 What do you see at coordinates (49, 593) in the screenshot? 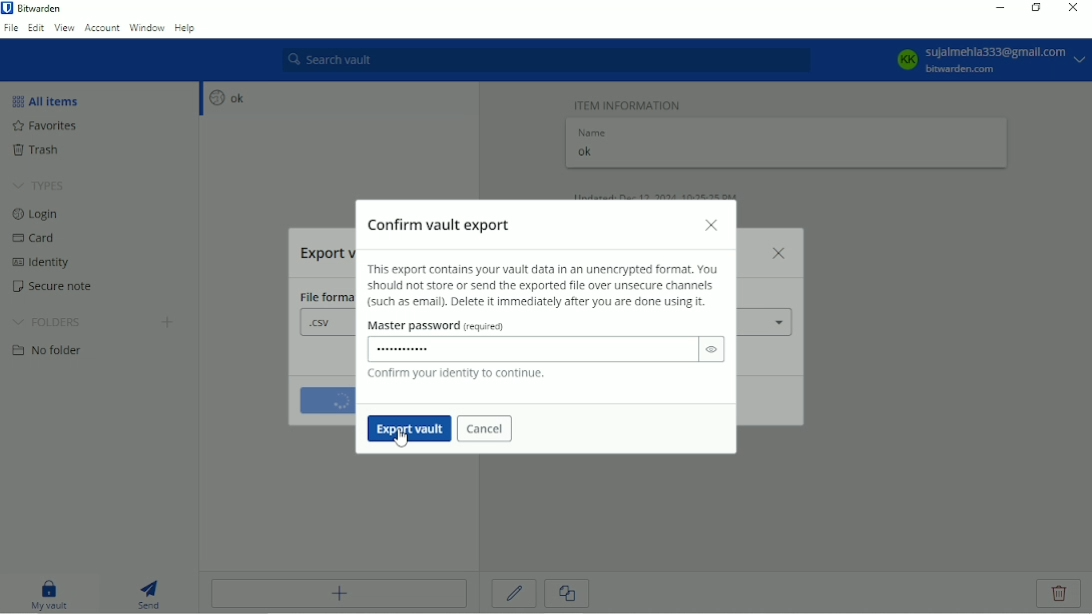
I see `My vault` at bounding box center [49, 593].